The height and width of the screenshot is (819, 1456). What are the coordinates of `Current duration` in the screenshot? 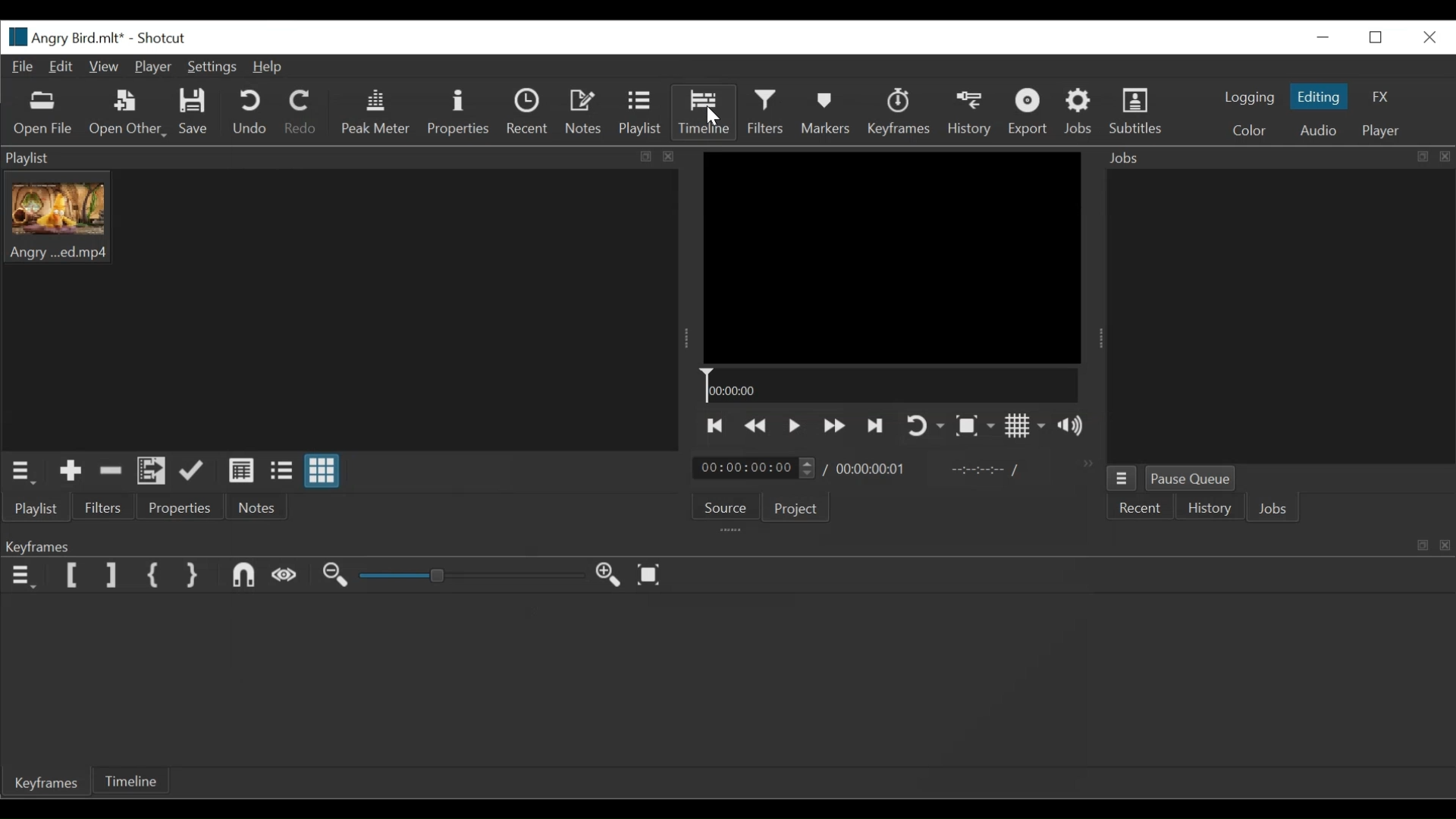 It's located at (753, 468).